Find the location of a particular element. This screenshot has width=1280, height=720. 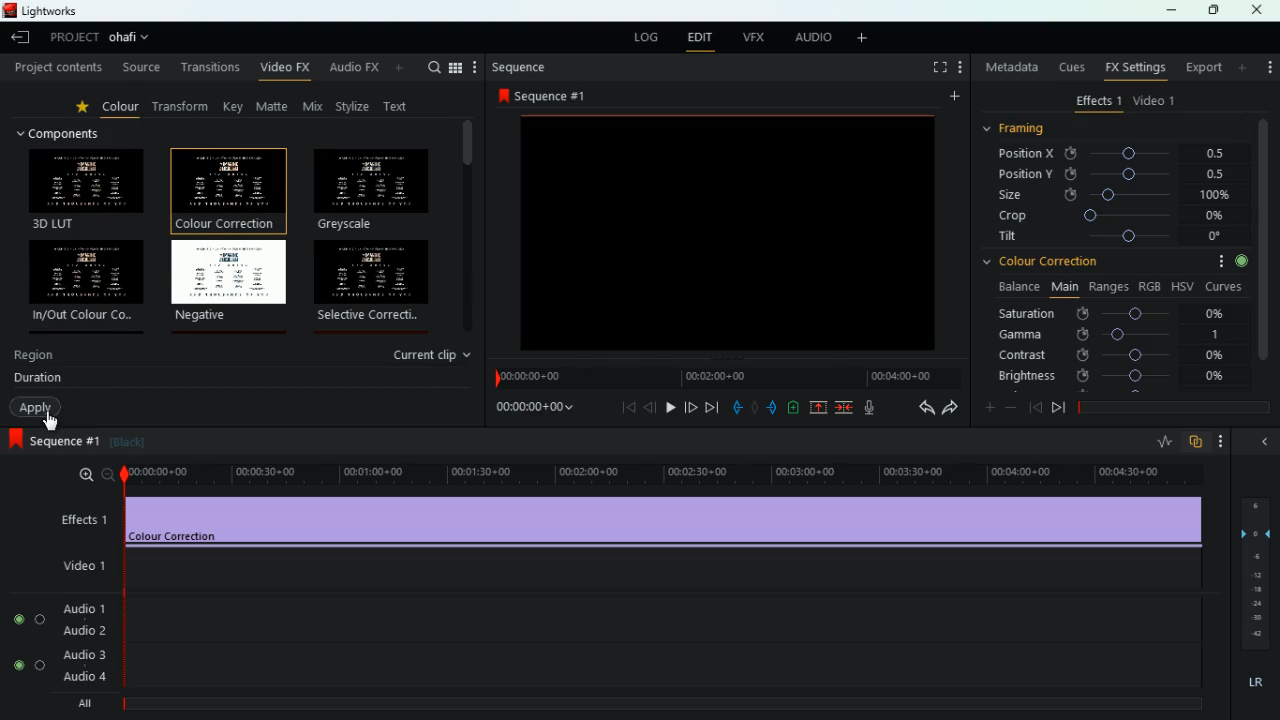

ranges is located at coordinates (1110, 288).